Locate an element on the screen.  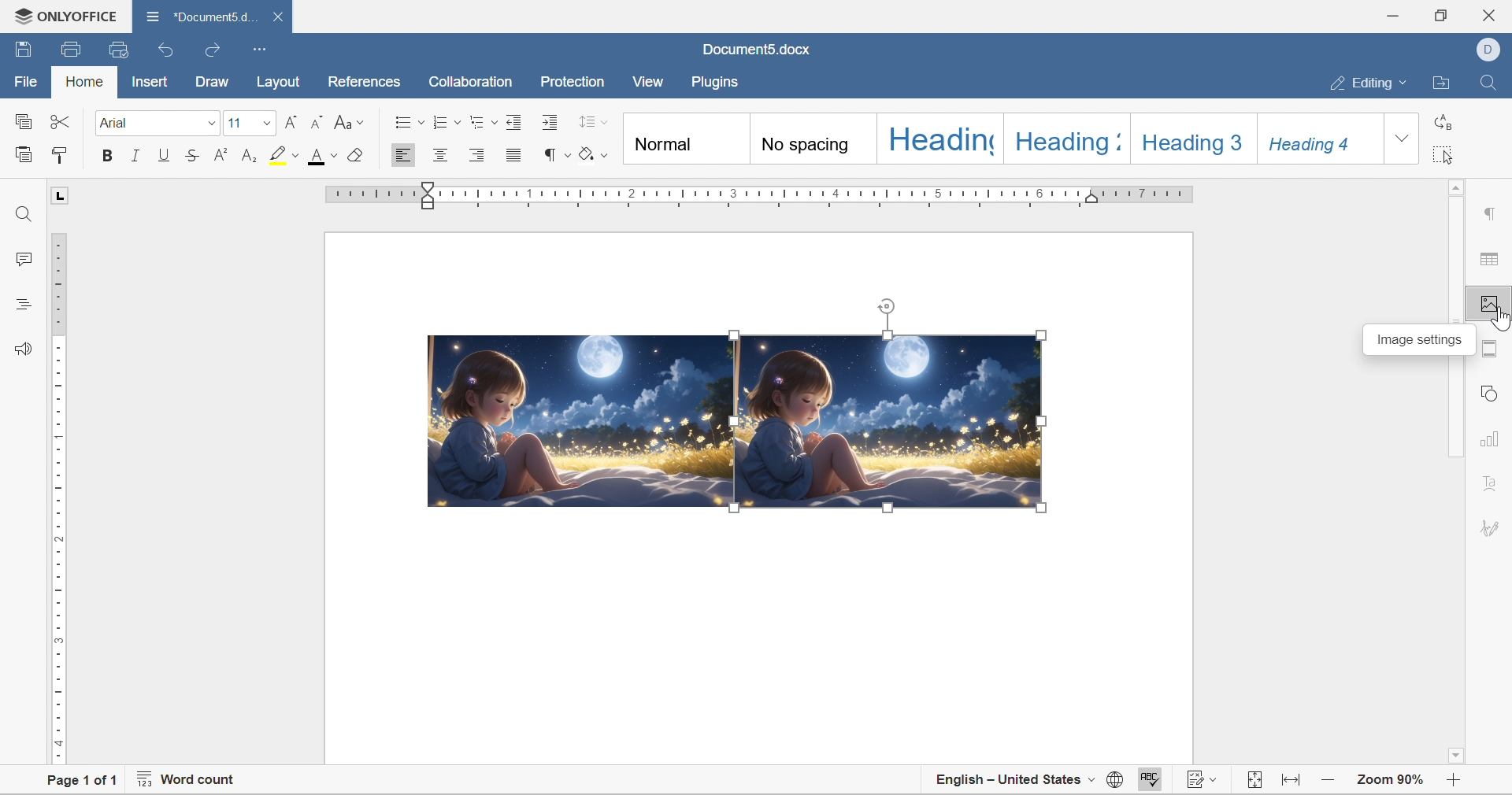
subscript is located at coordinates (250, 156).